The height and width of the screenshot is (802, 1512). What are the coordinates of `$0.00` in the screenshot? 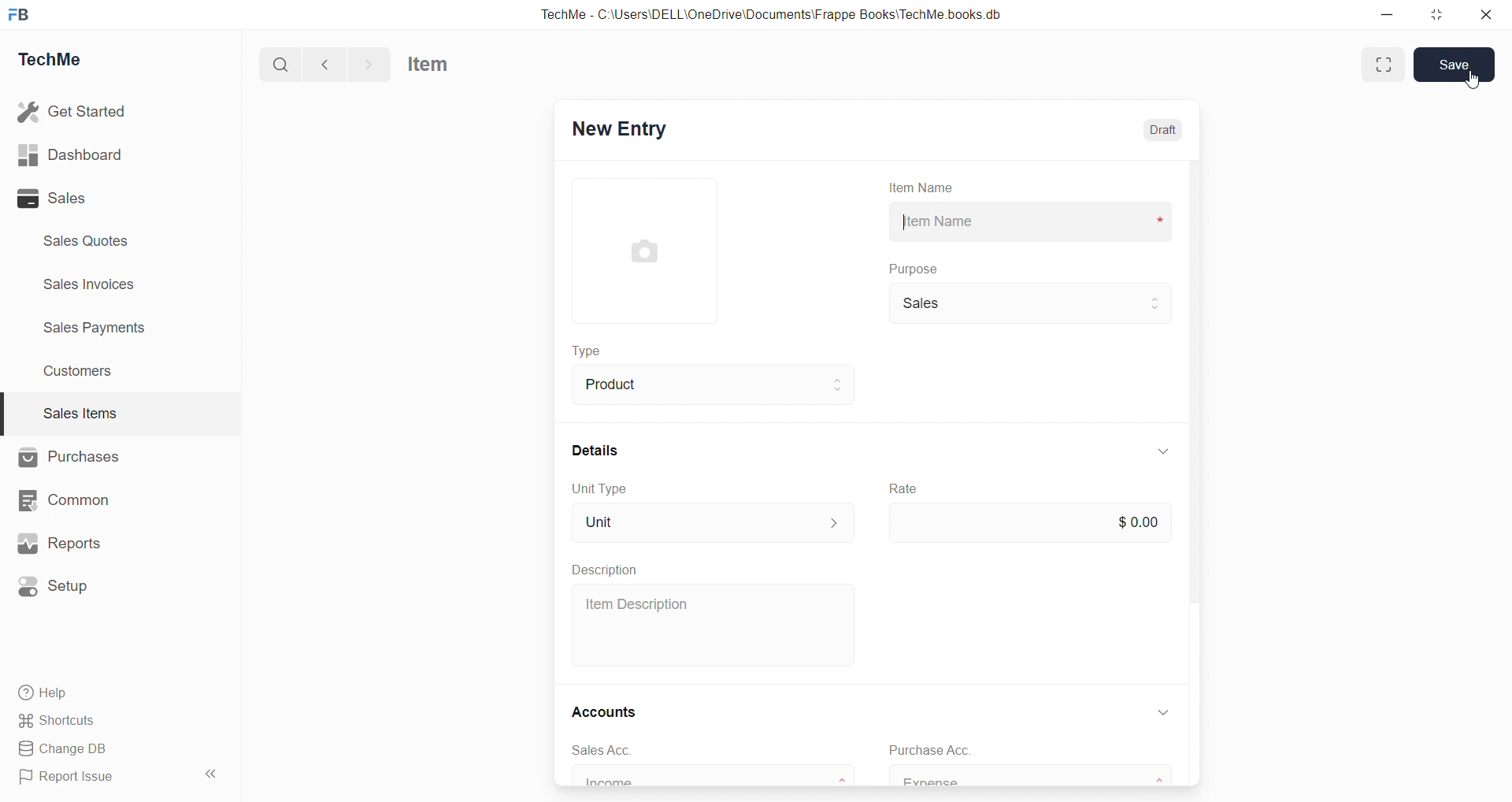 It's located at (1028, 524).